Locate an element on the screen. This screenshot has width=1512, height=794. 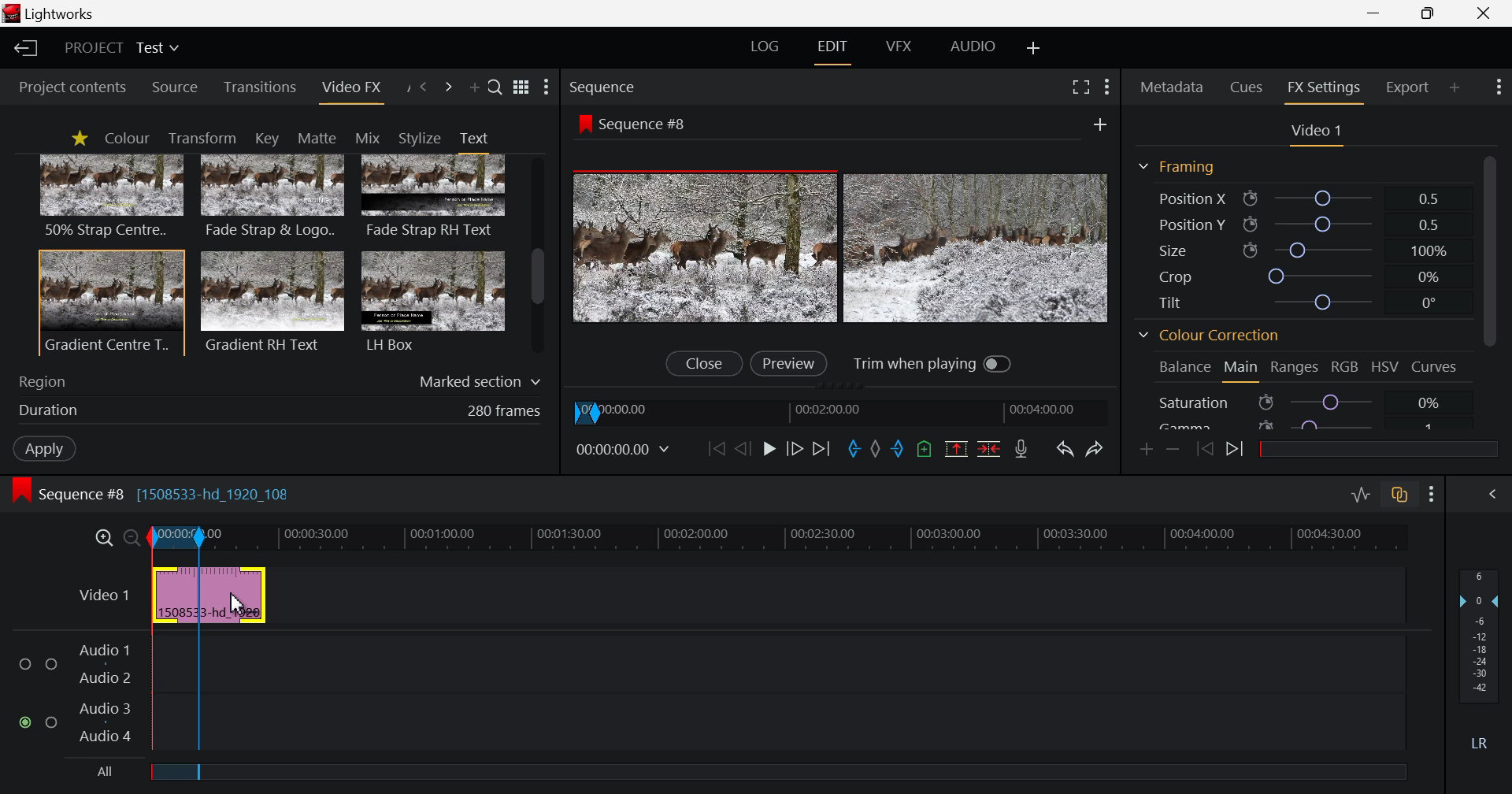
Preview is located at coordinates (788, 362).